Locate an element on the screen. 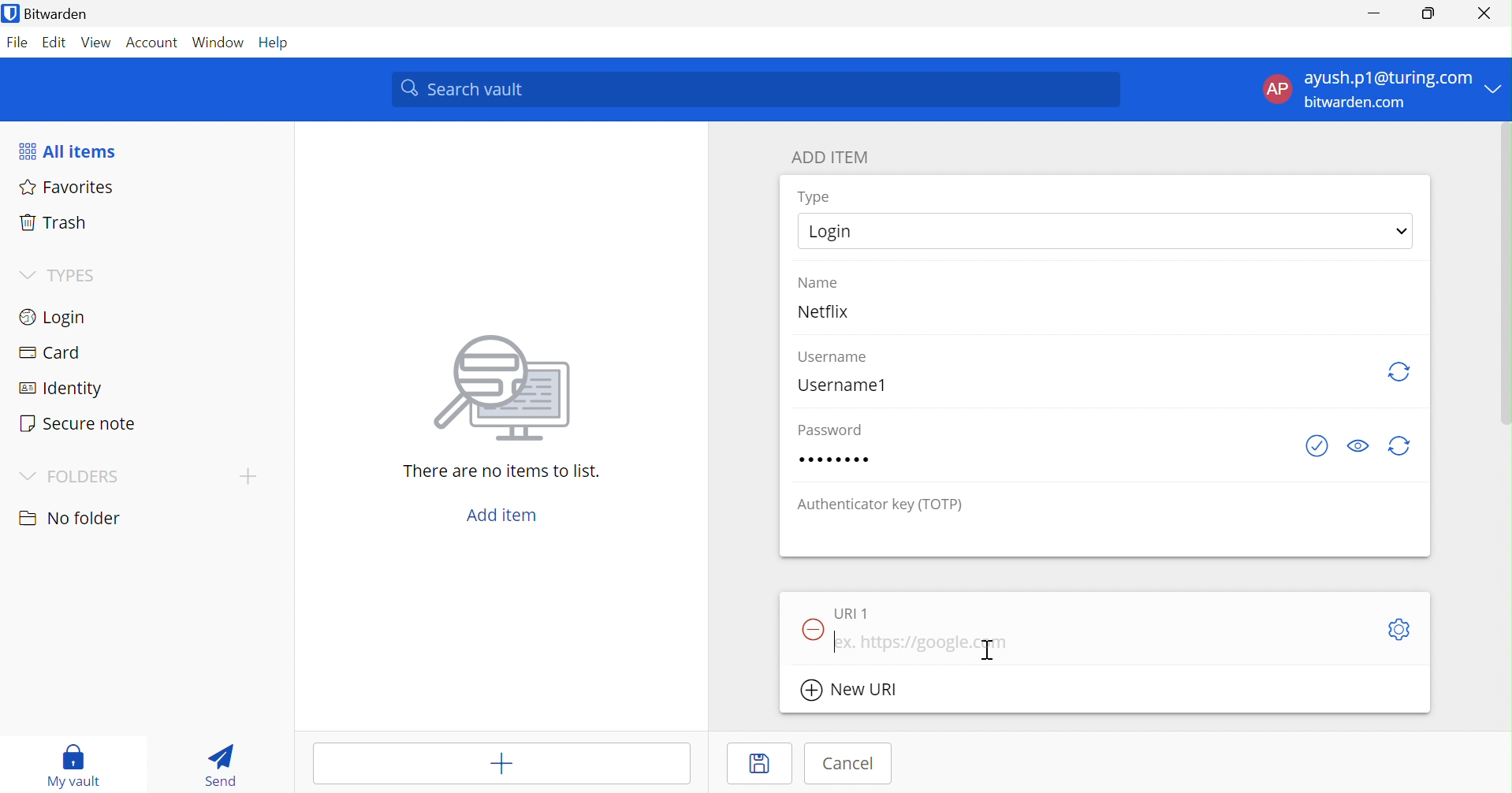  URl 1 is located at coordinates (851, 613).